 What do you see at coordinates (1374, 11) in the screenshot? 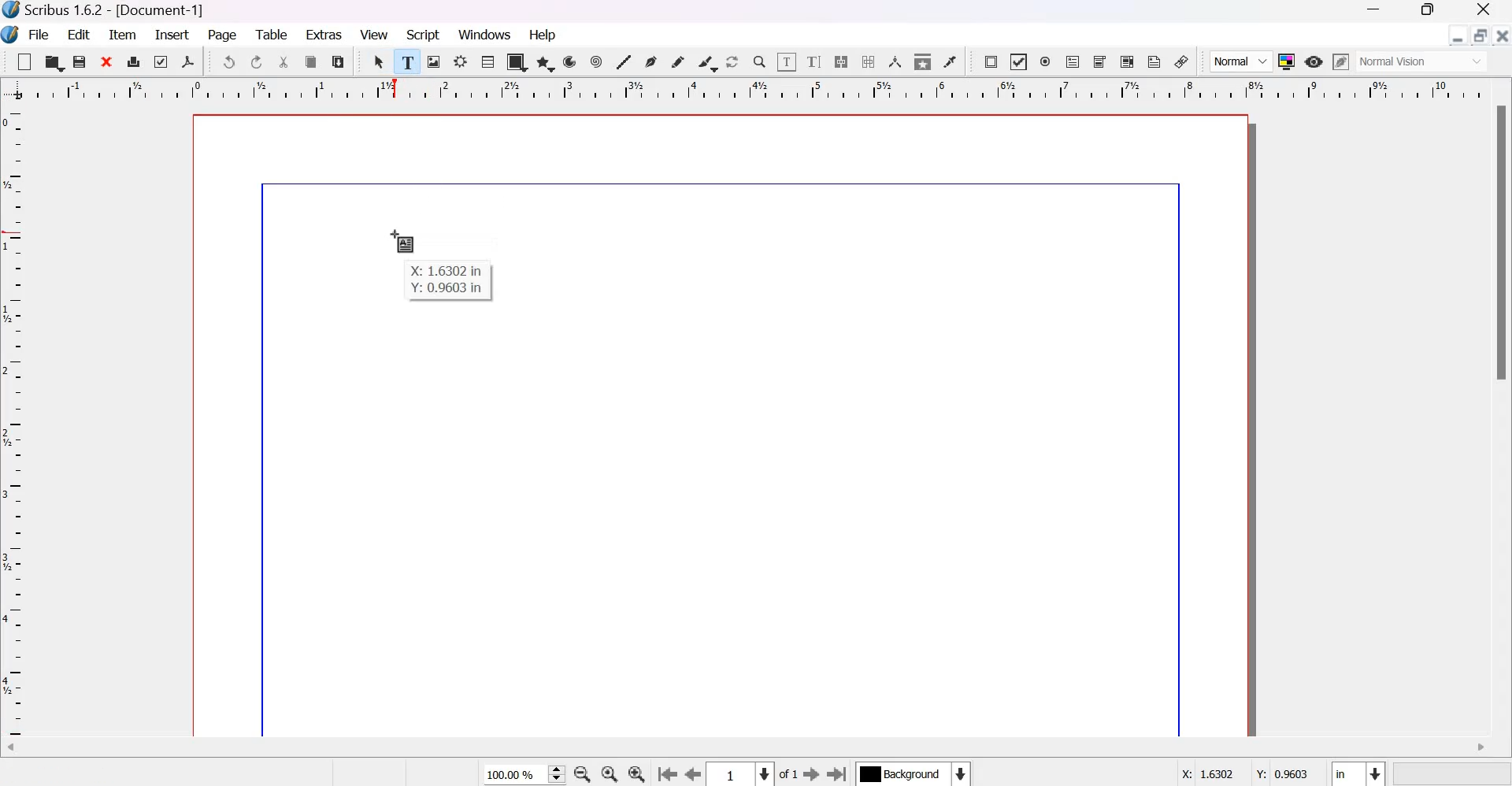
I see `Minimize` at bounding box center [1374, 11].